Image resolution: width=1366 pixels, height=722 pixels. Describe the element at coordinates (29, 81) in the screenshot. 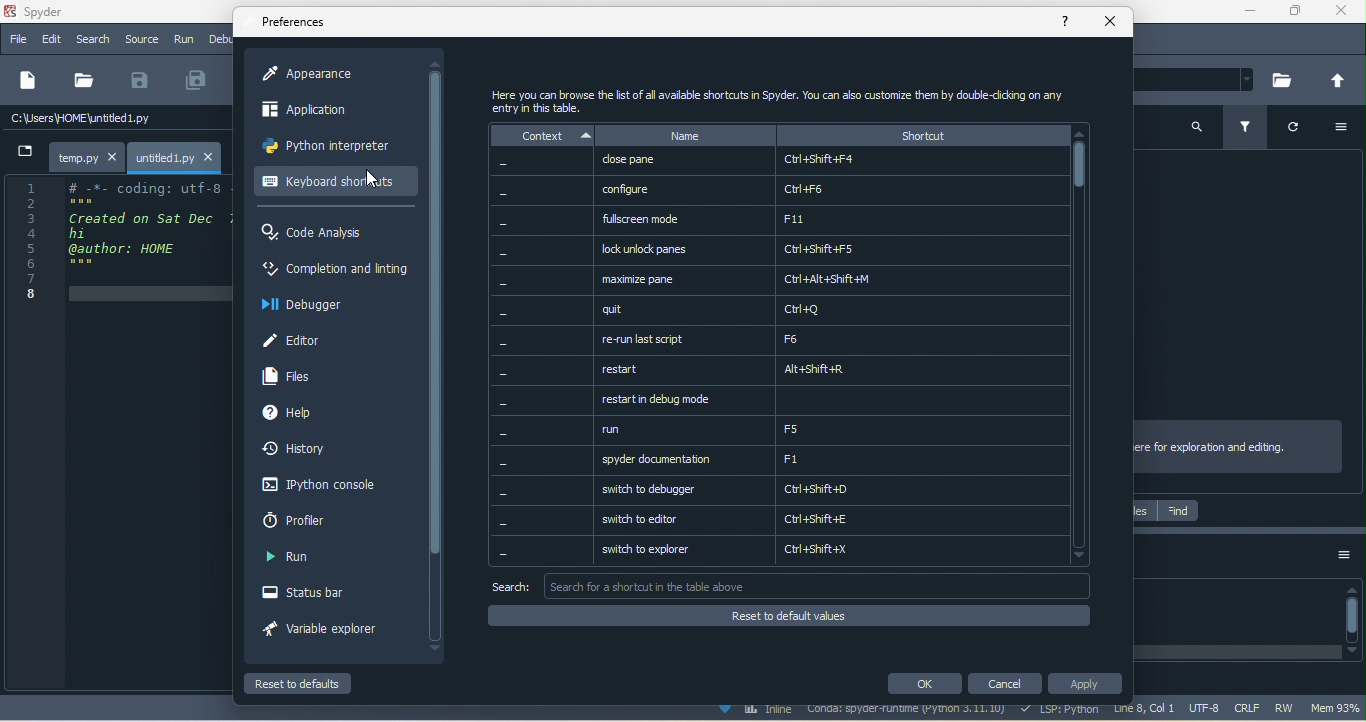

I see `new` at that location.